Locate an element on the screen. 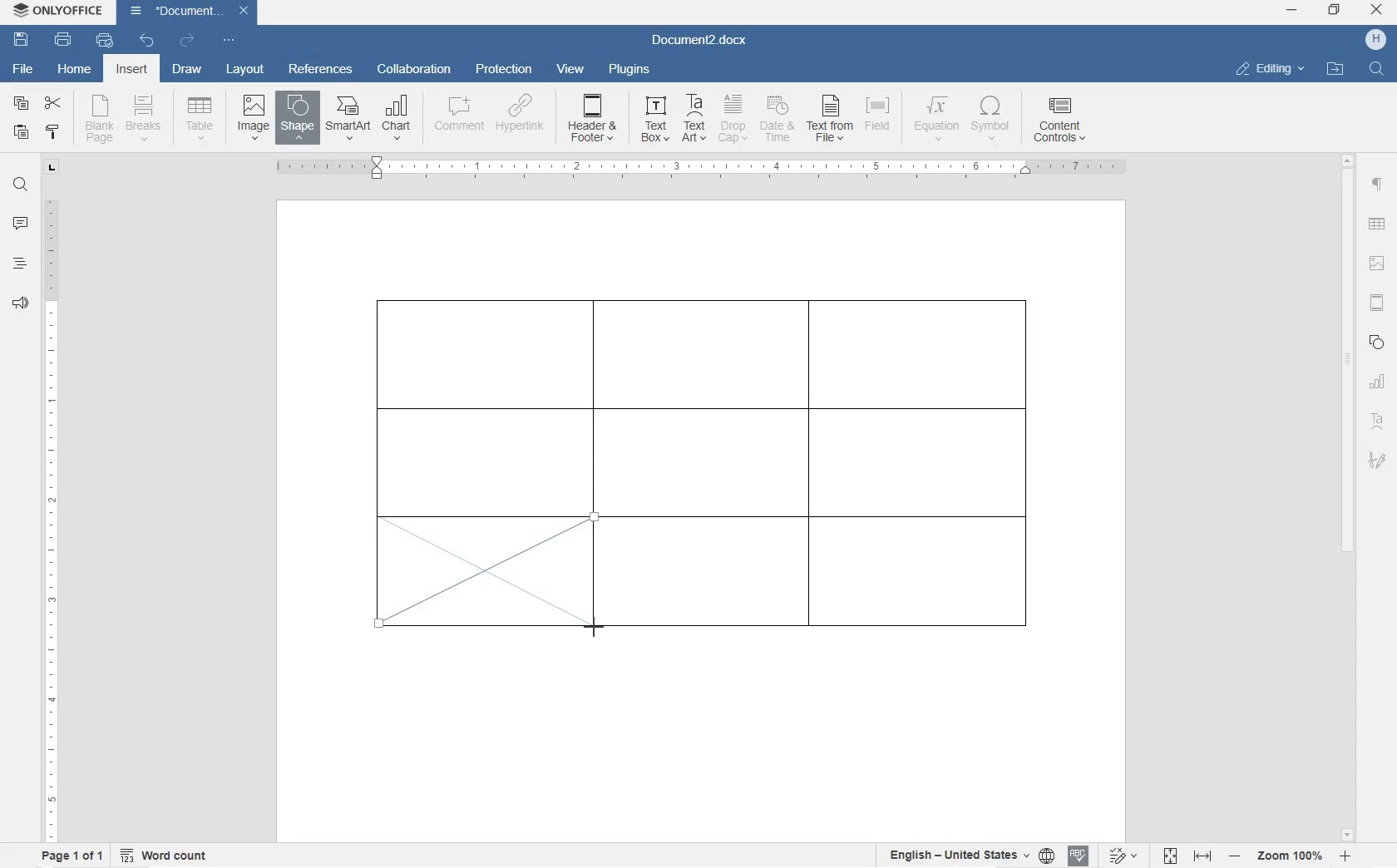 This screenshot has height=868, width=1397. paragraph settings is located at coordinates (1378, 185).